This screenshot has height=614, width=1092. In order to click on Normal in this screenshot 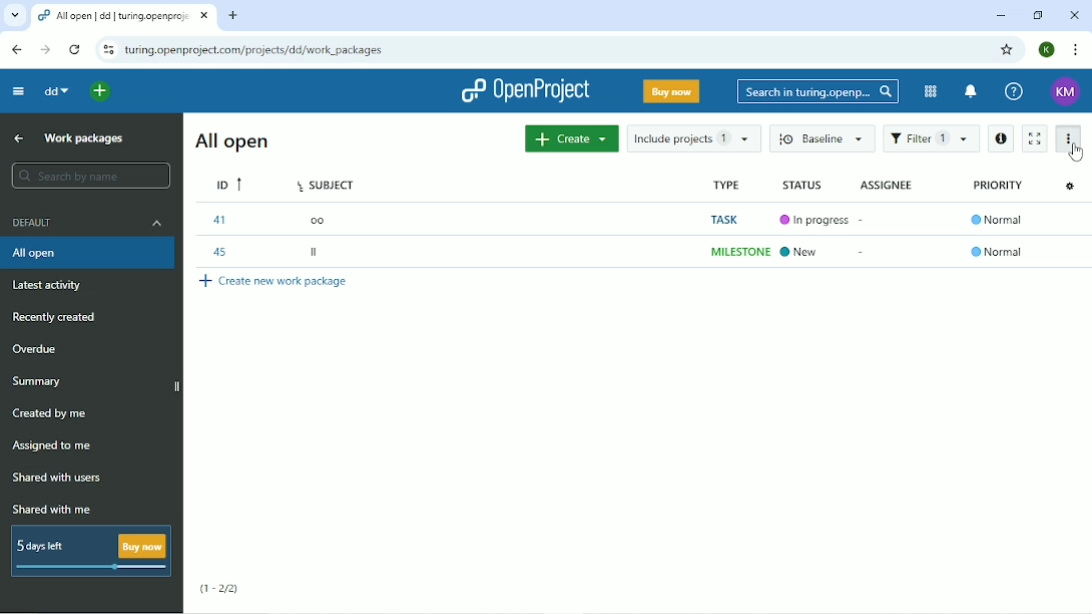, I will do `click(998, 220)`.